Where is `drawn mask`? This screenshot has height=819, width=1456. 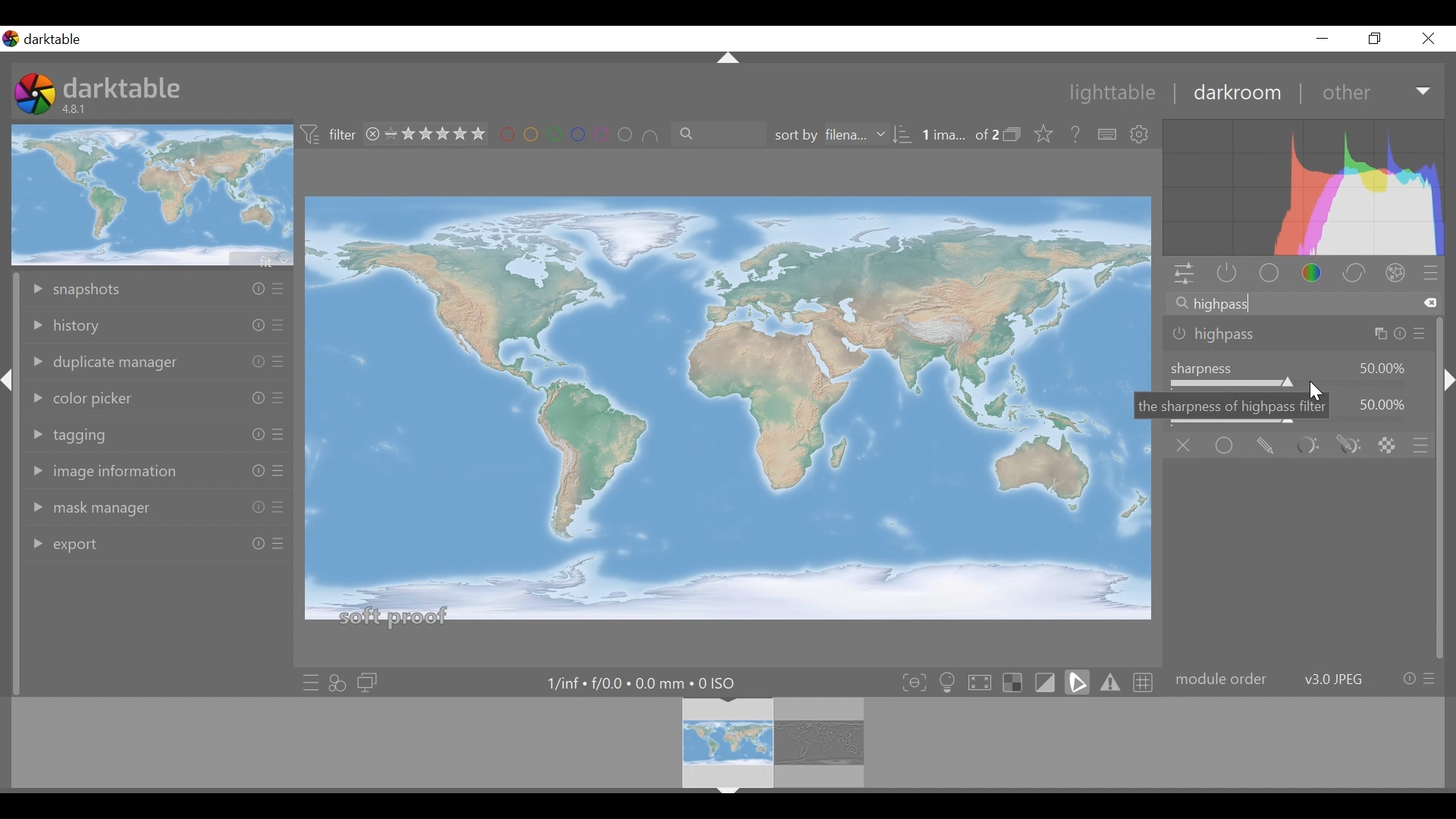
drawn mask is located at coordinates (1263, 444).